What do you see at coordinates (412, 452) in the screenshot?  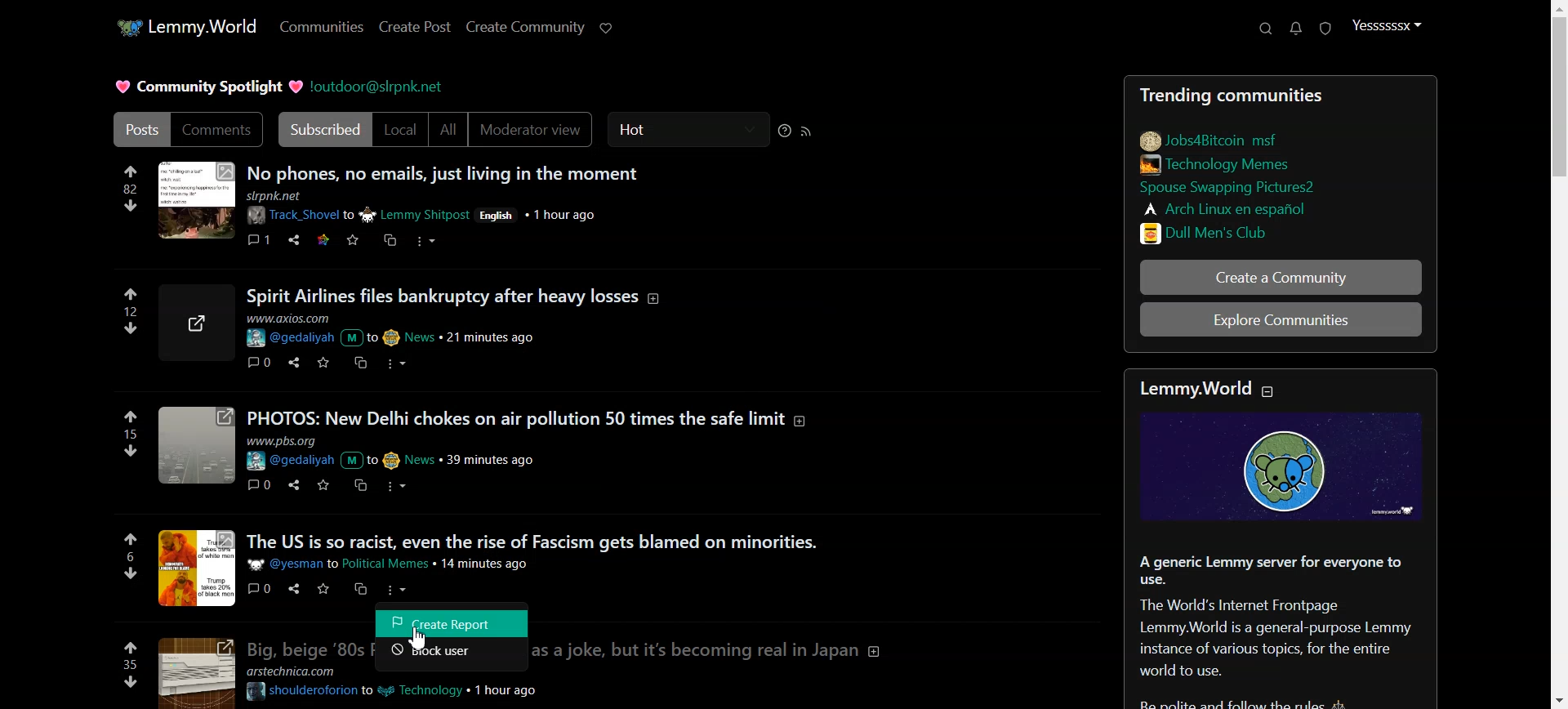 I see `post details` at bounding box center [412, 452].